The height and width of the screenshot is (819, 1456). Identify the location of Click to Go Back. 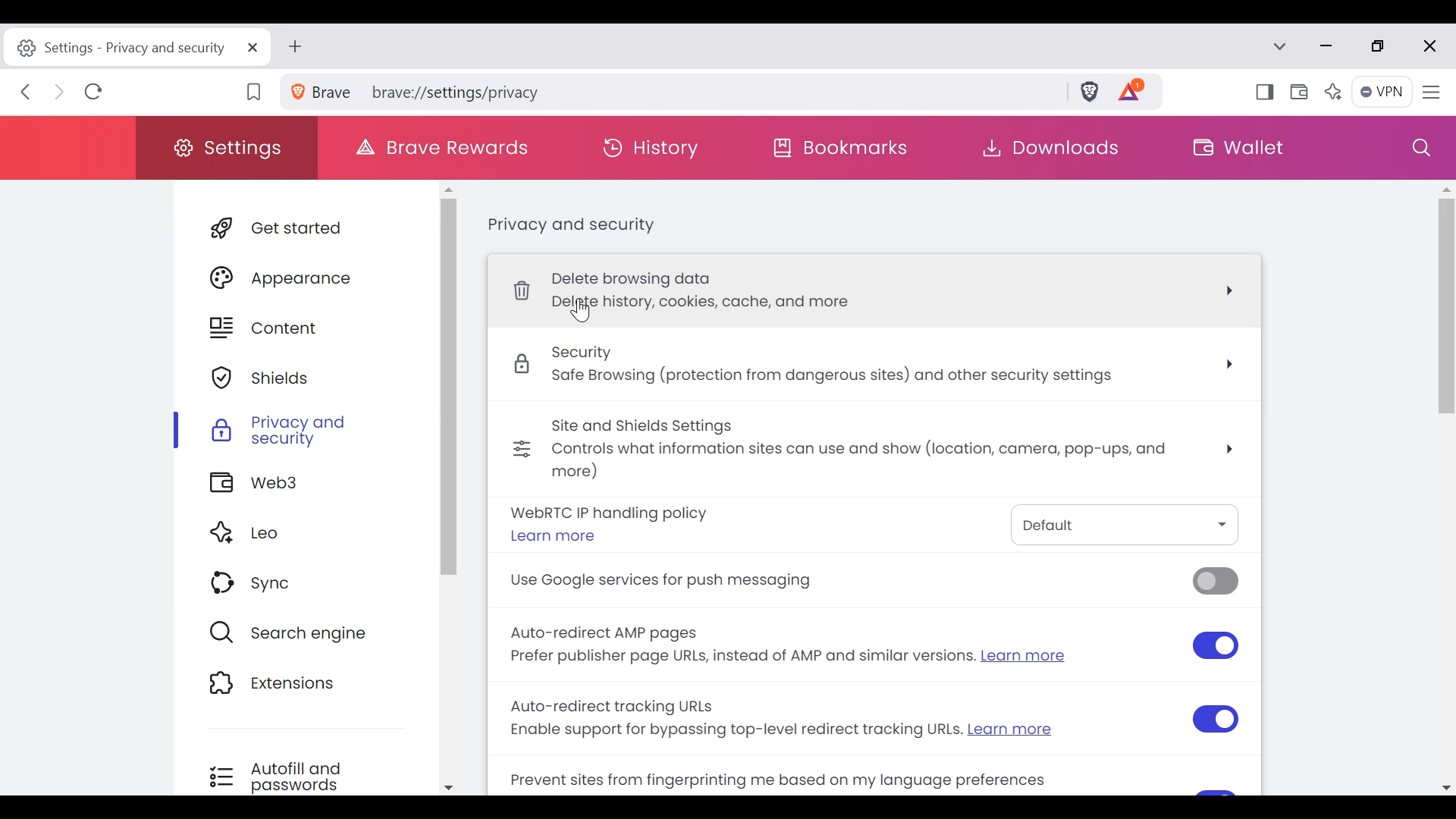
(30, 95).